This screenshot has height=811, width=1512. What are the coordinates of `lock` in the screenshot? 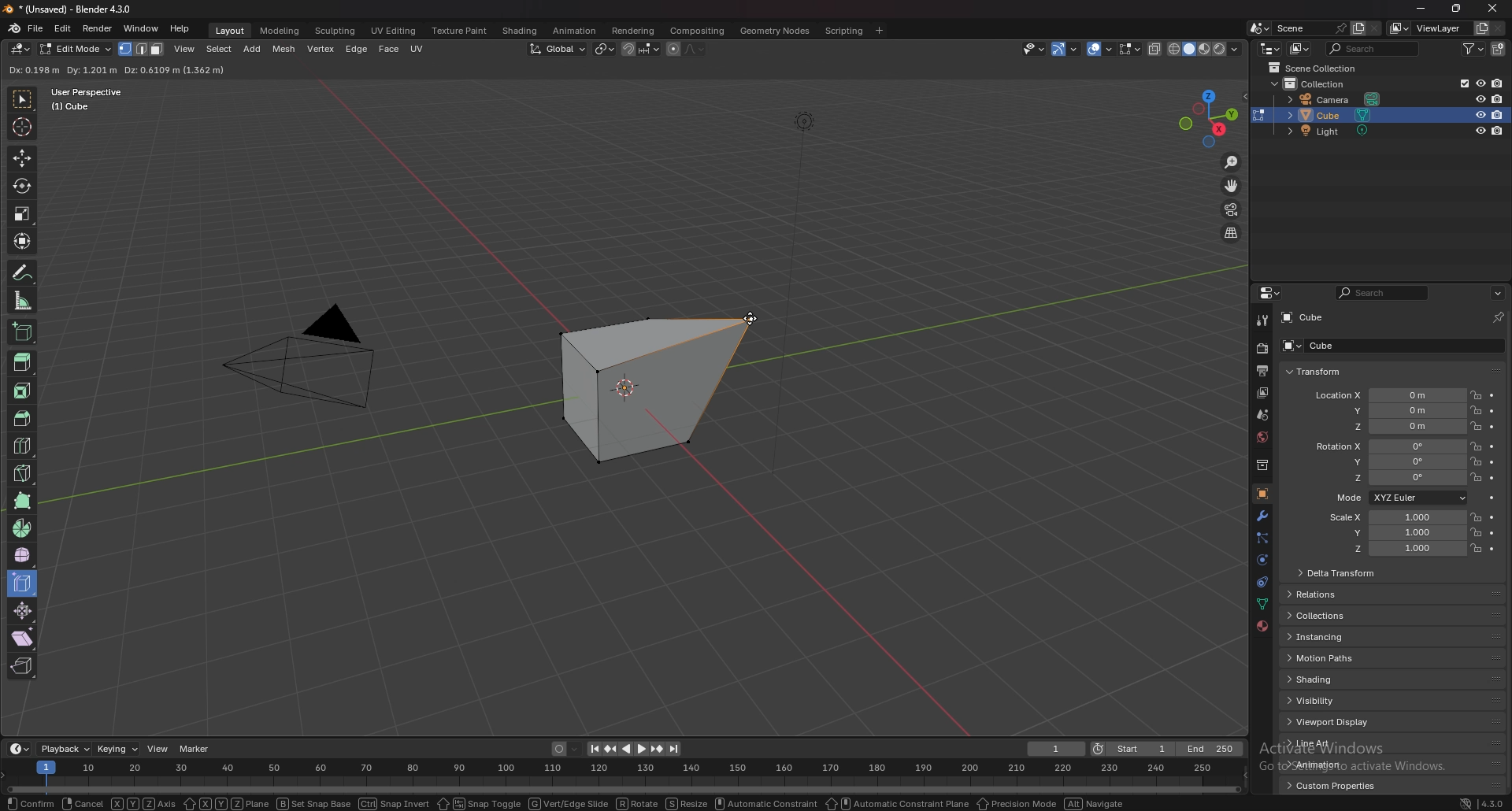 It's located at (1476, 446).